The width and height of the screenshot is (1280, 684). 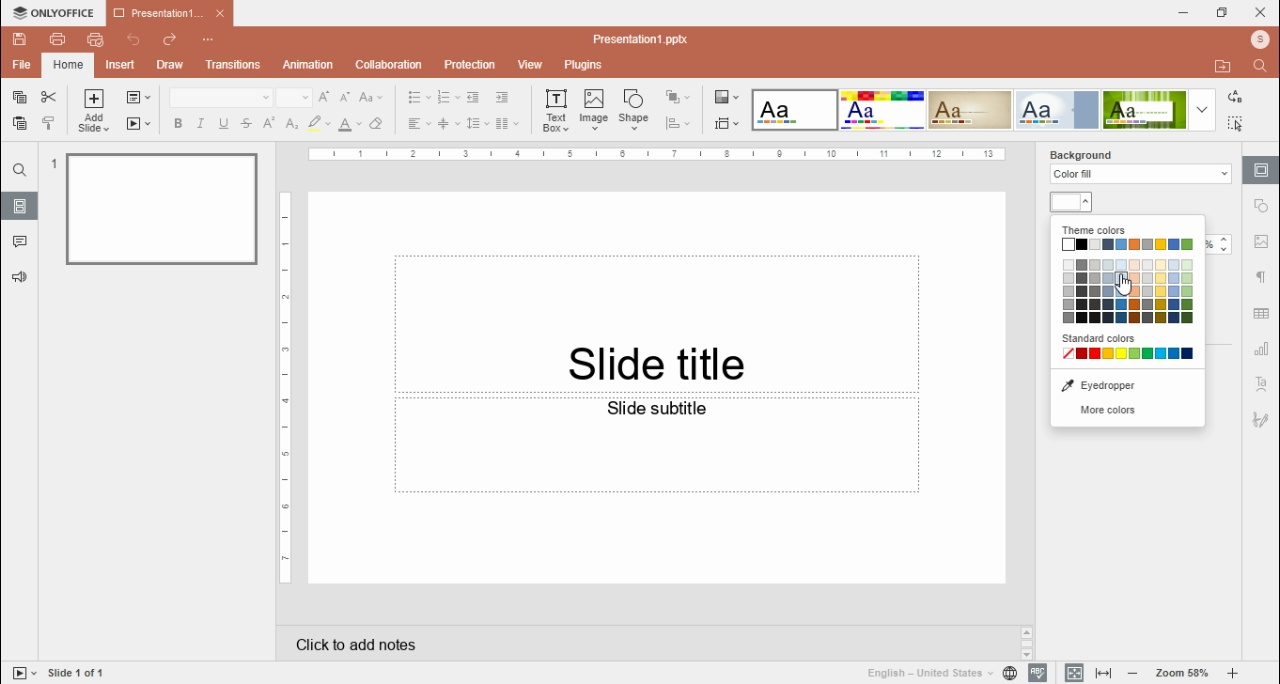 I want to click on decrement font size, so click(x=347, y=97).